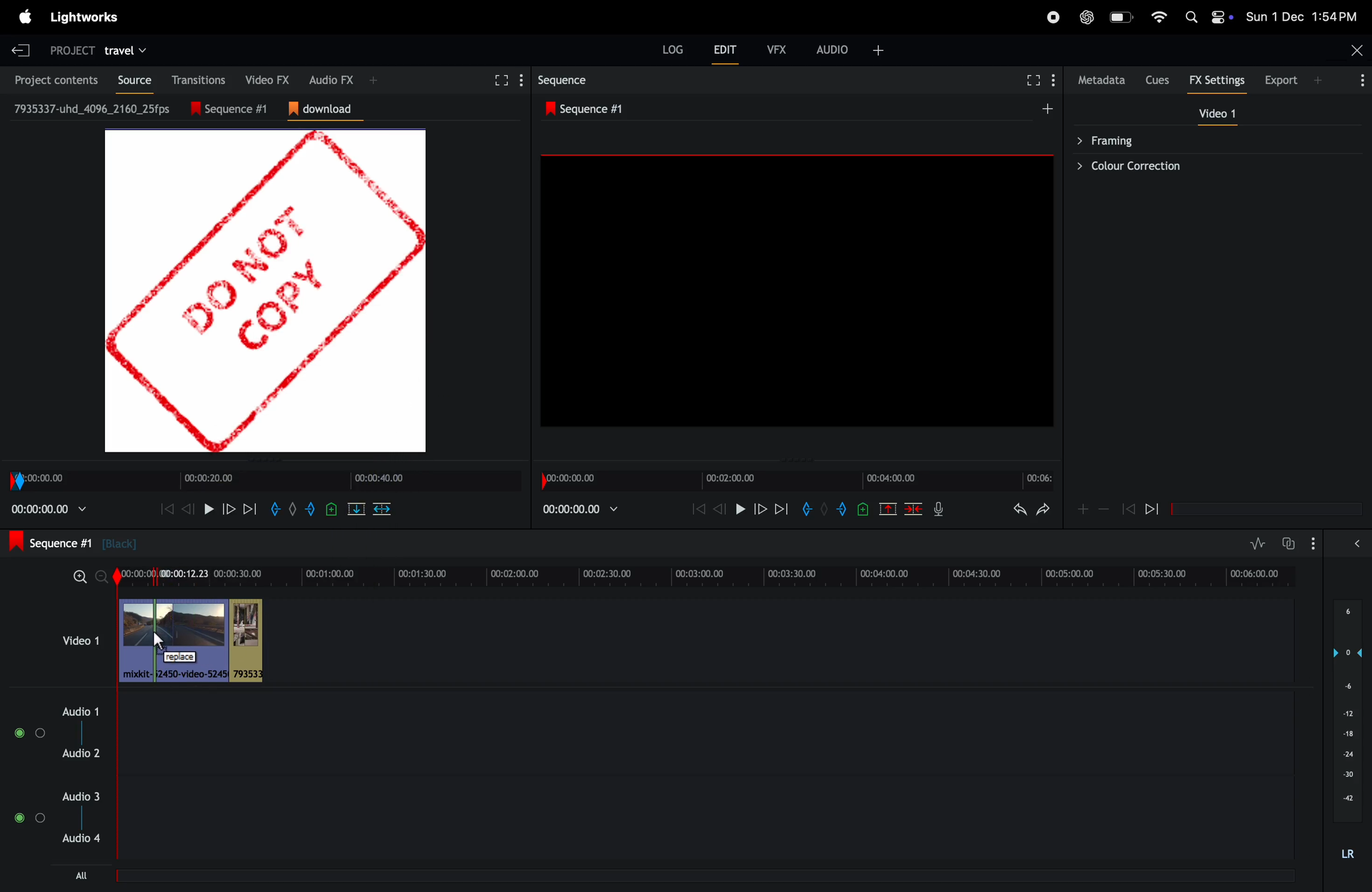 This screenshot has height=892, width=1372. Describe the element at coordinates (311, 509) in the screenshot. I see `add out` at that location.